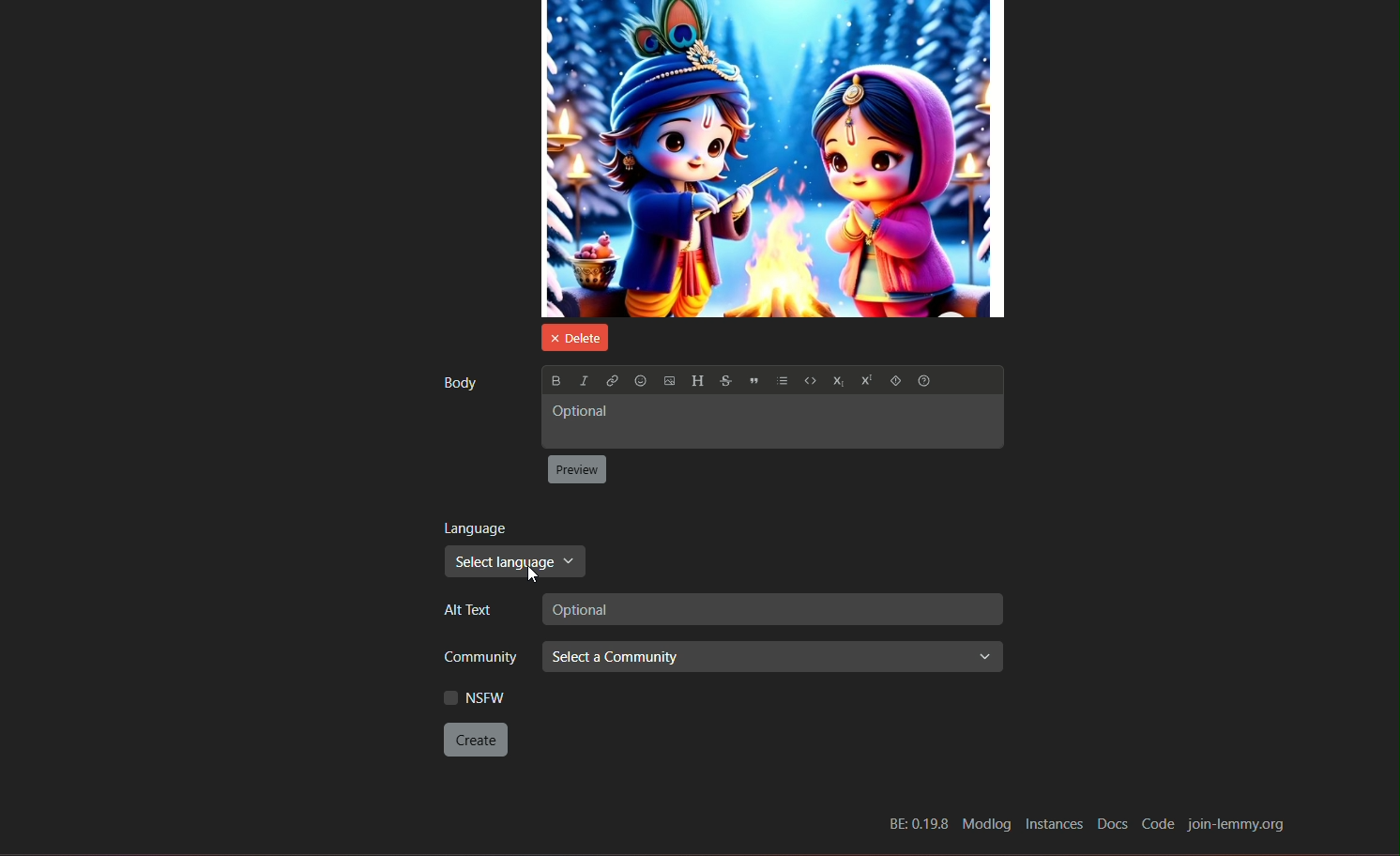 Image resolution: width=1400 pixels, height=856 pixels. What do you see at coordinates (477, 740) in the screenshot?
I see `Create` at bounding box center [477, 740].